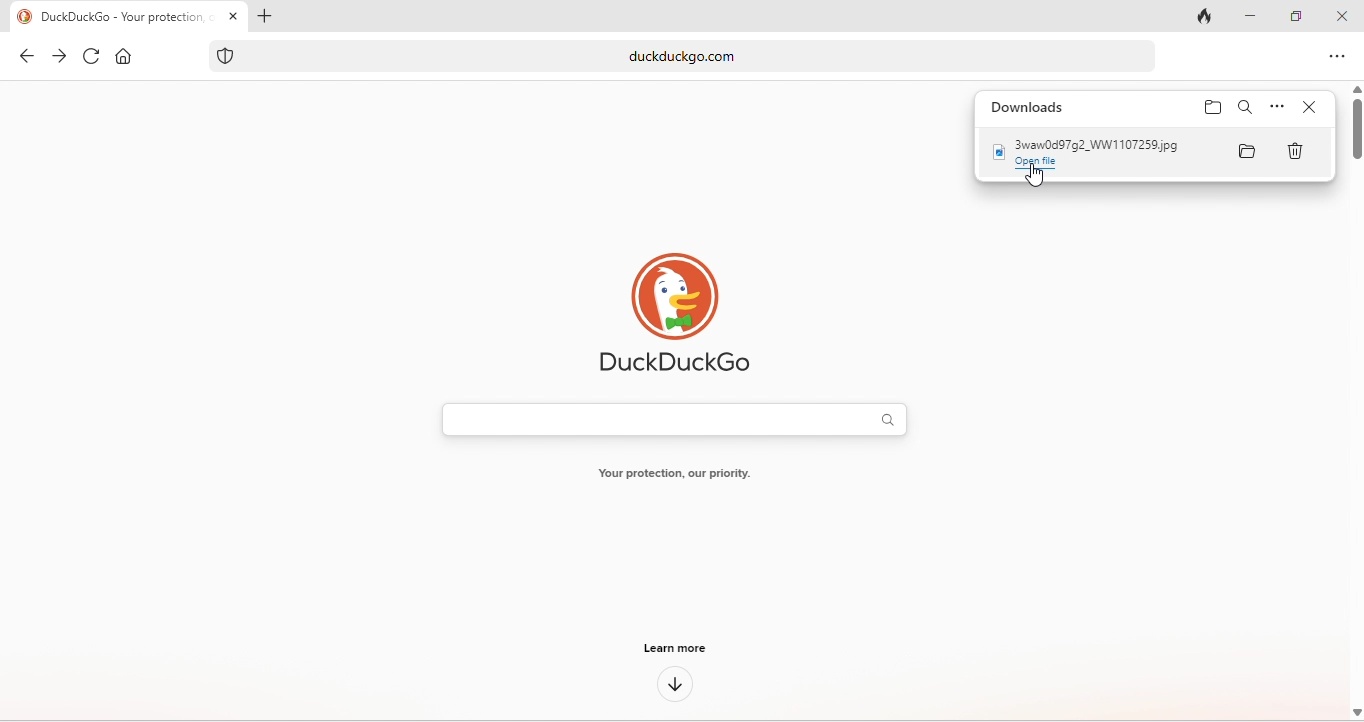 The image size is (1364, 722). What do you see at coordinates (1297, 16) in the screenshot?
I see `maximize` at bounding box center [1297, 16].